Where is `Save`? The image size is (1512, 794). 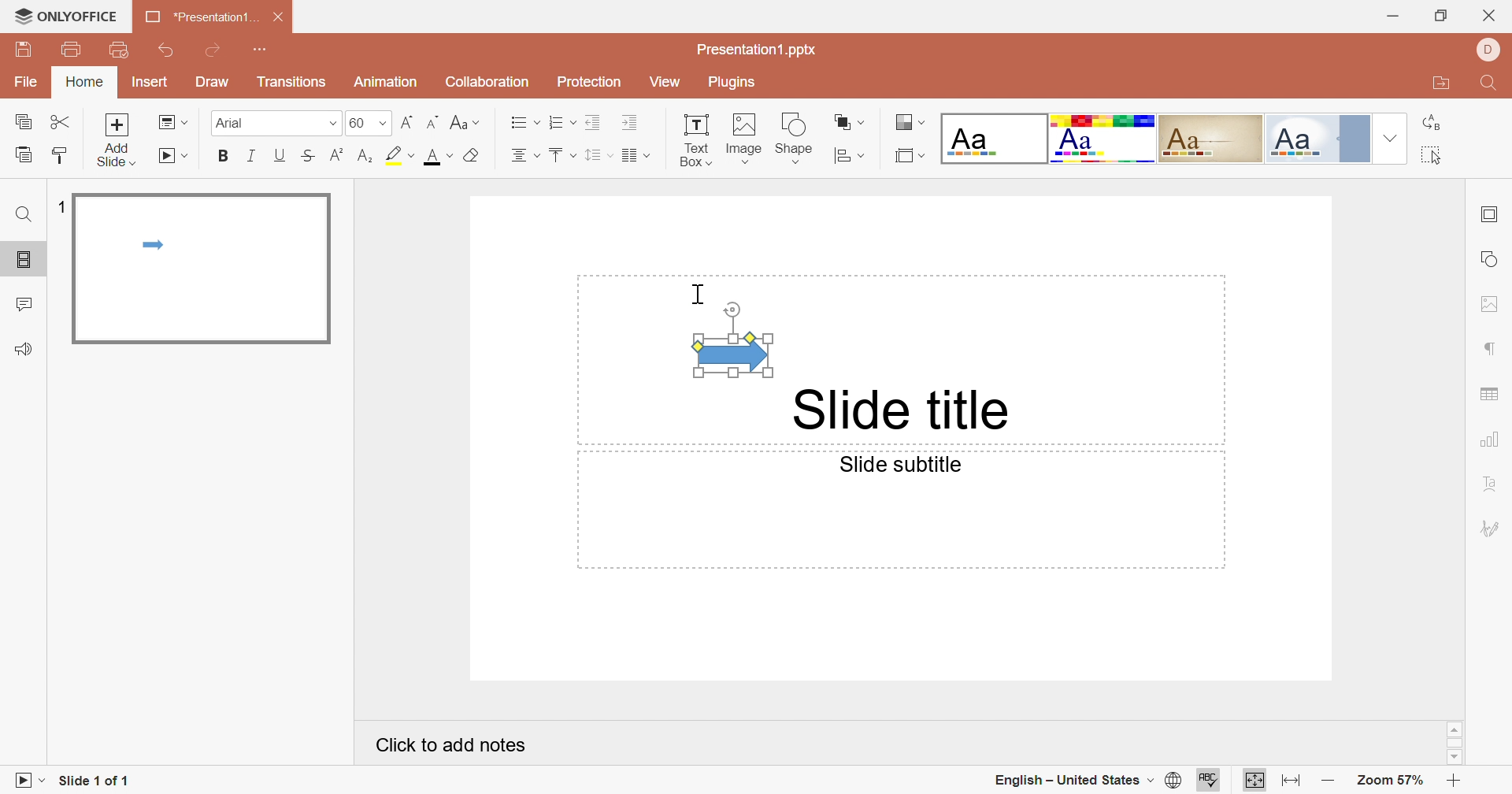
Save is located at coordinates (22, 47).